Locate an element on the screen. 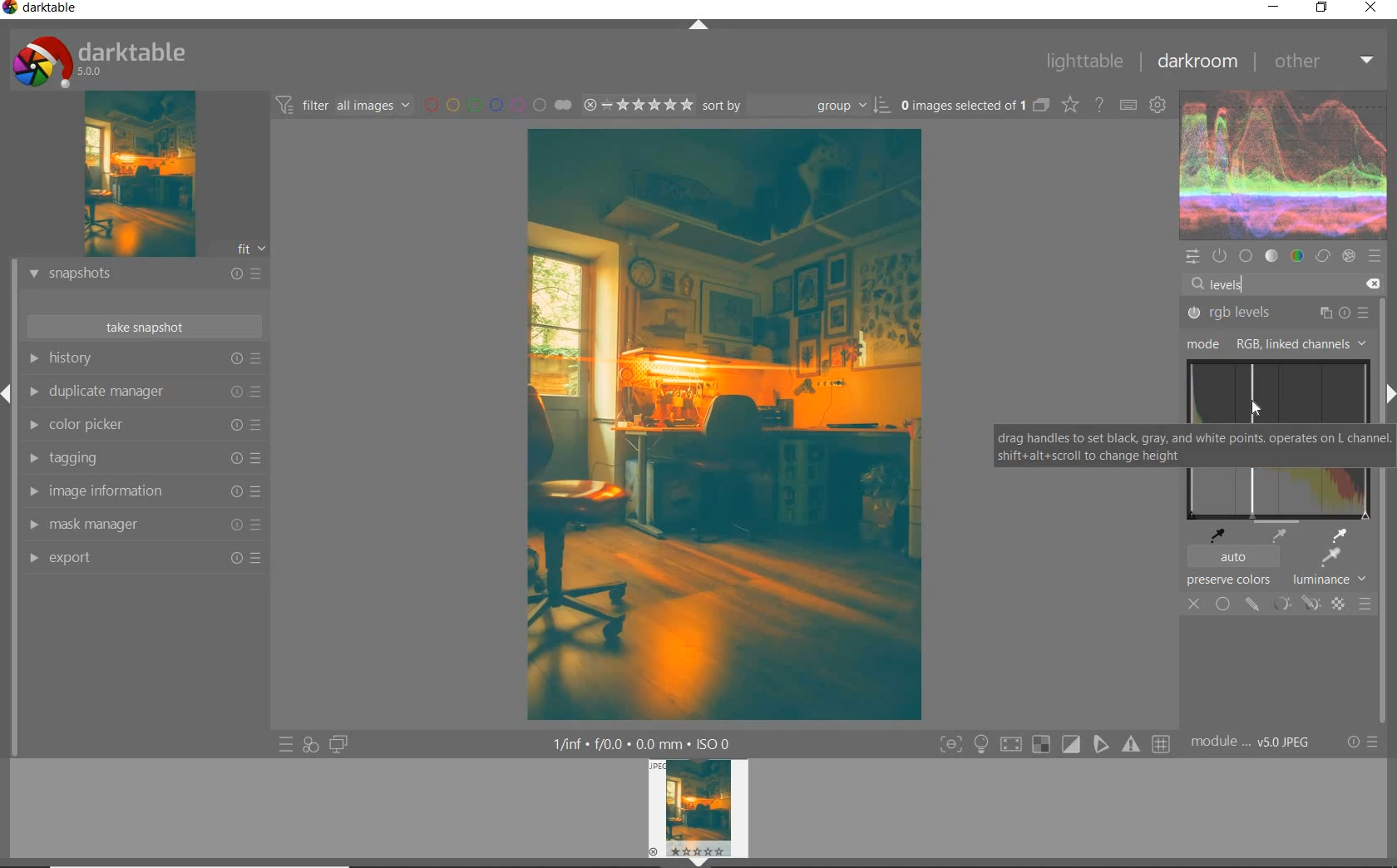 The width and height of the screenshot is (1397, 868). mask manager is located at coordinates (143, 525).